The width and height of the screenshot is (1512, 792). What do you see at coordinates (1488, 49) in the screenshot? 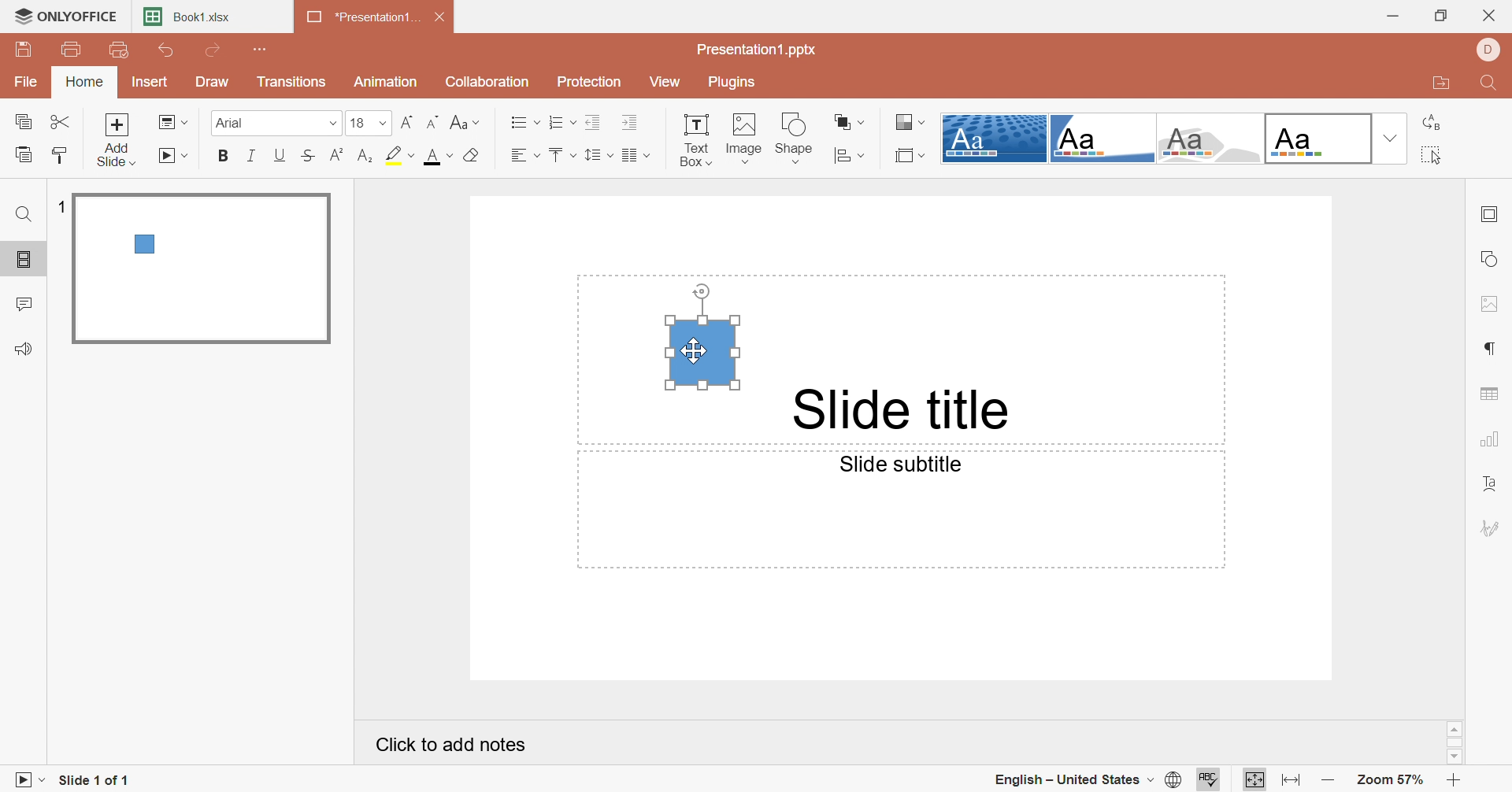
I see `DELL` at bounding box center [1488, 49].